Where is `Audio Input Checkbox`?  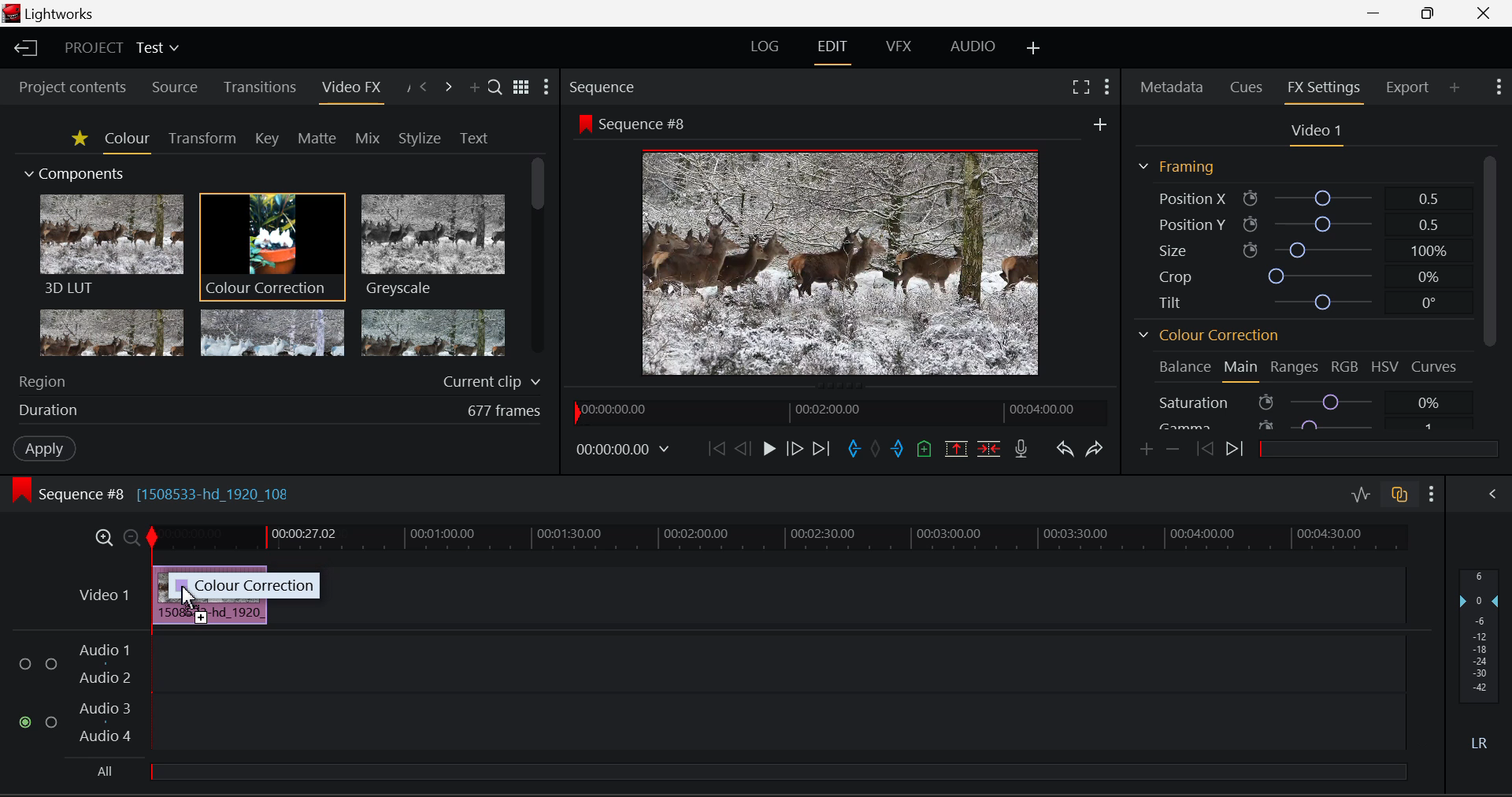
Audio Input Checkbox is located at coordinates (24, 721).